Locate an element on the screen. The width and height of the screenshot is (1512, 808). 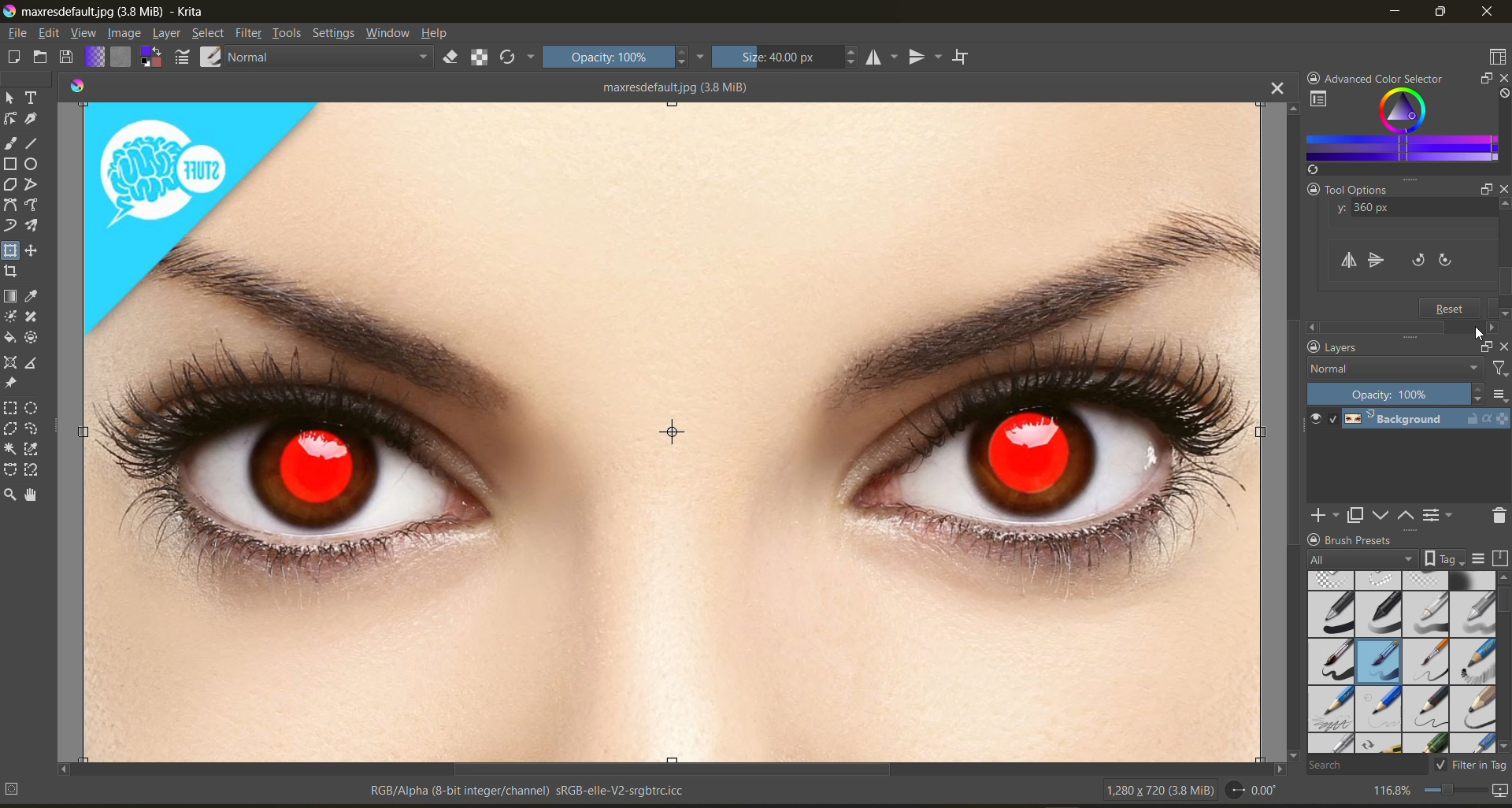
tool is located at coordinates (10, 447).